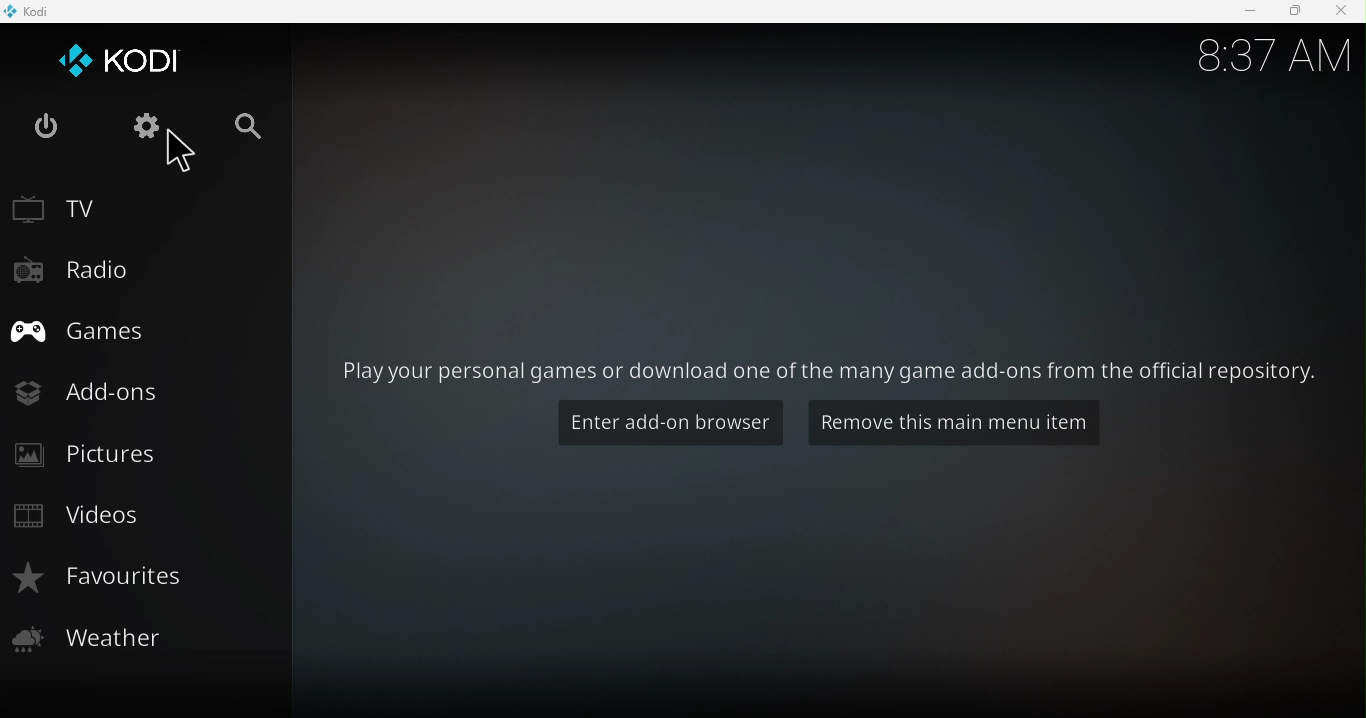  Describe the element at coordinates (190, 152) in the screenshot. I see `Cursor` at that location.